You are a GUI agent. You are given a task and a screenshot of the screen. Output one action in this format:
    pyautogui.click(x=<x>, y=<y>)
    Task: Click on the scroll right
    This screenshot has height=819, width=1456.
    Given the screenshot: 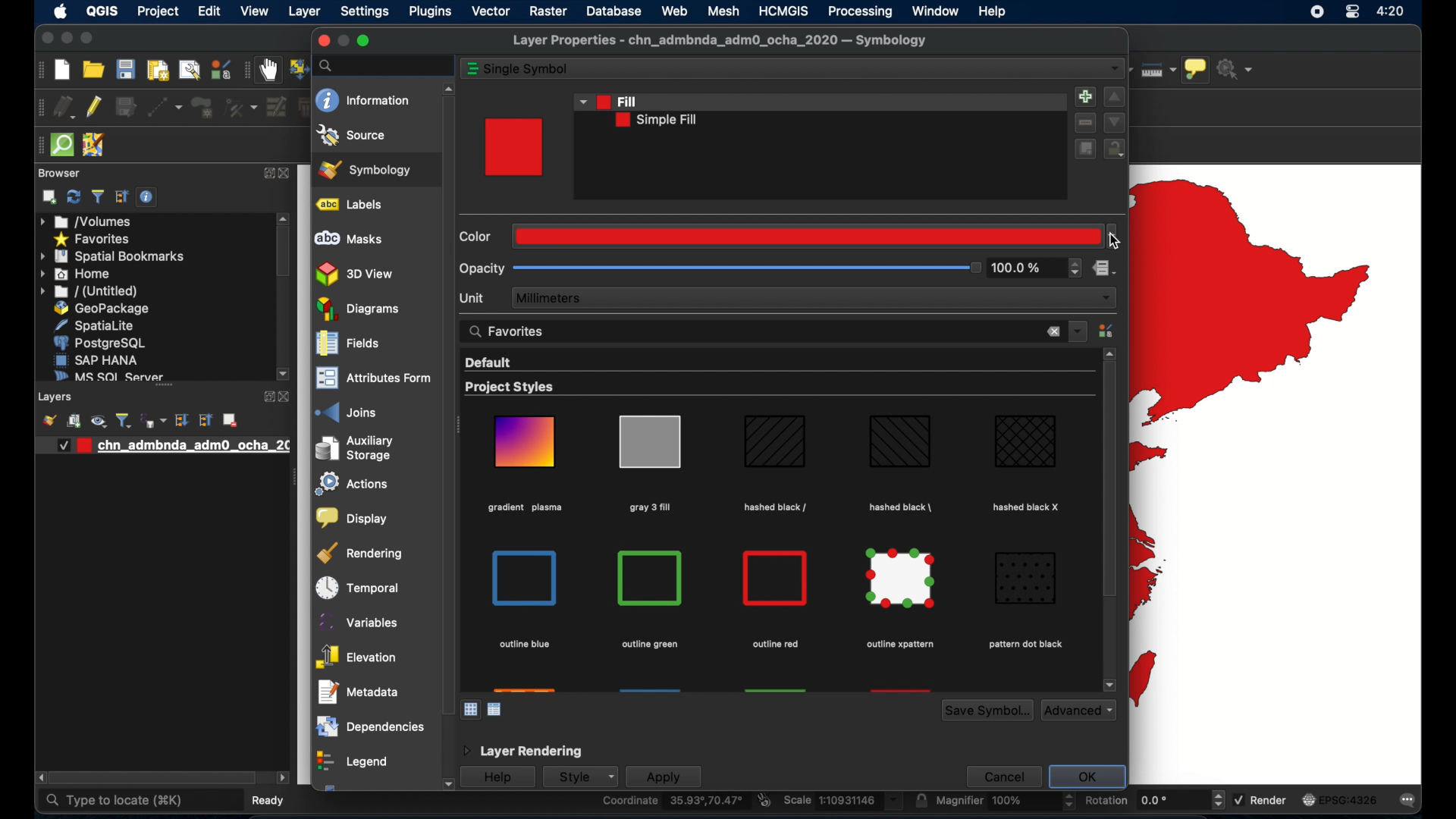 What is the action you would take?
    pyautogui.click(x=38, y=778)
    